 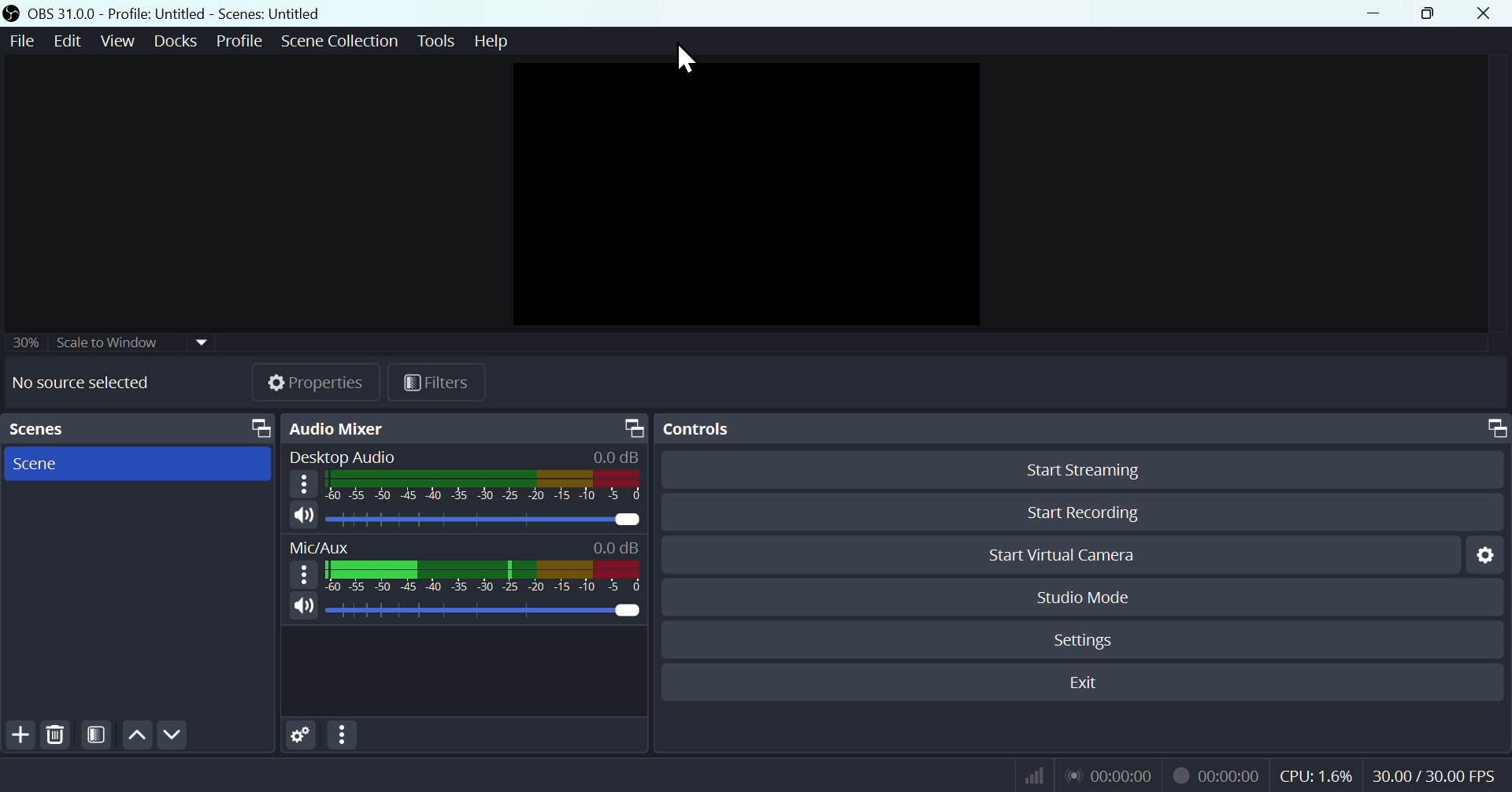 I want to click on More options, so click(x=307, y=482).